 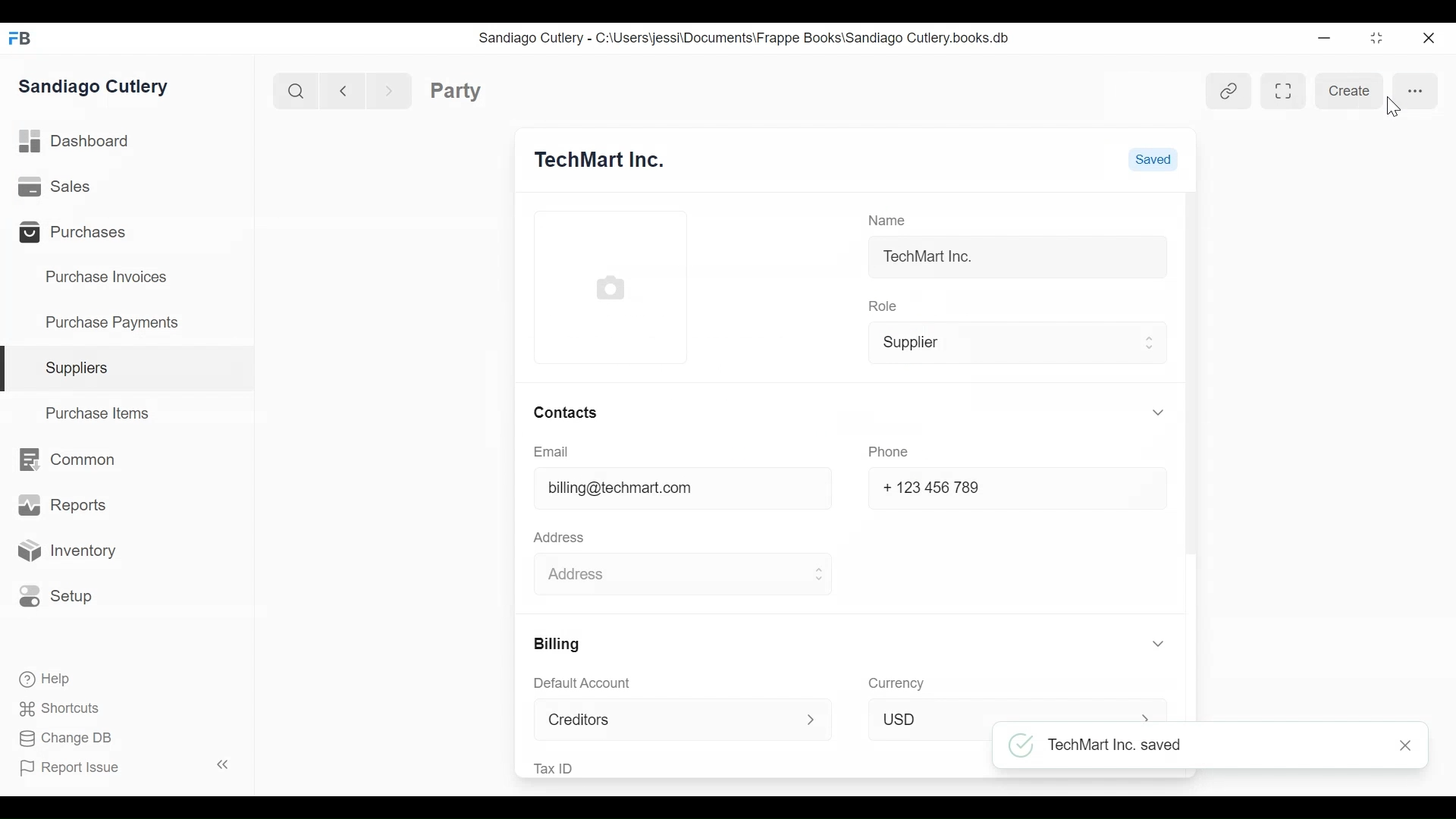 What do you see at coordinates (1430, 41) in the screenshot?
I see `close` at bounding box center [1430, 41].